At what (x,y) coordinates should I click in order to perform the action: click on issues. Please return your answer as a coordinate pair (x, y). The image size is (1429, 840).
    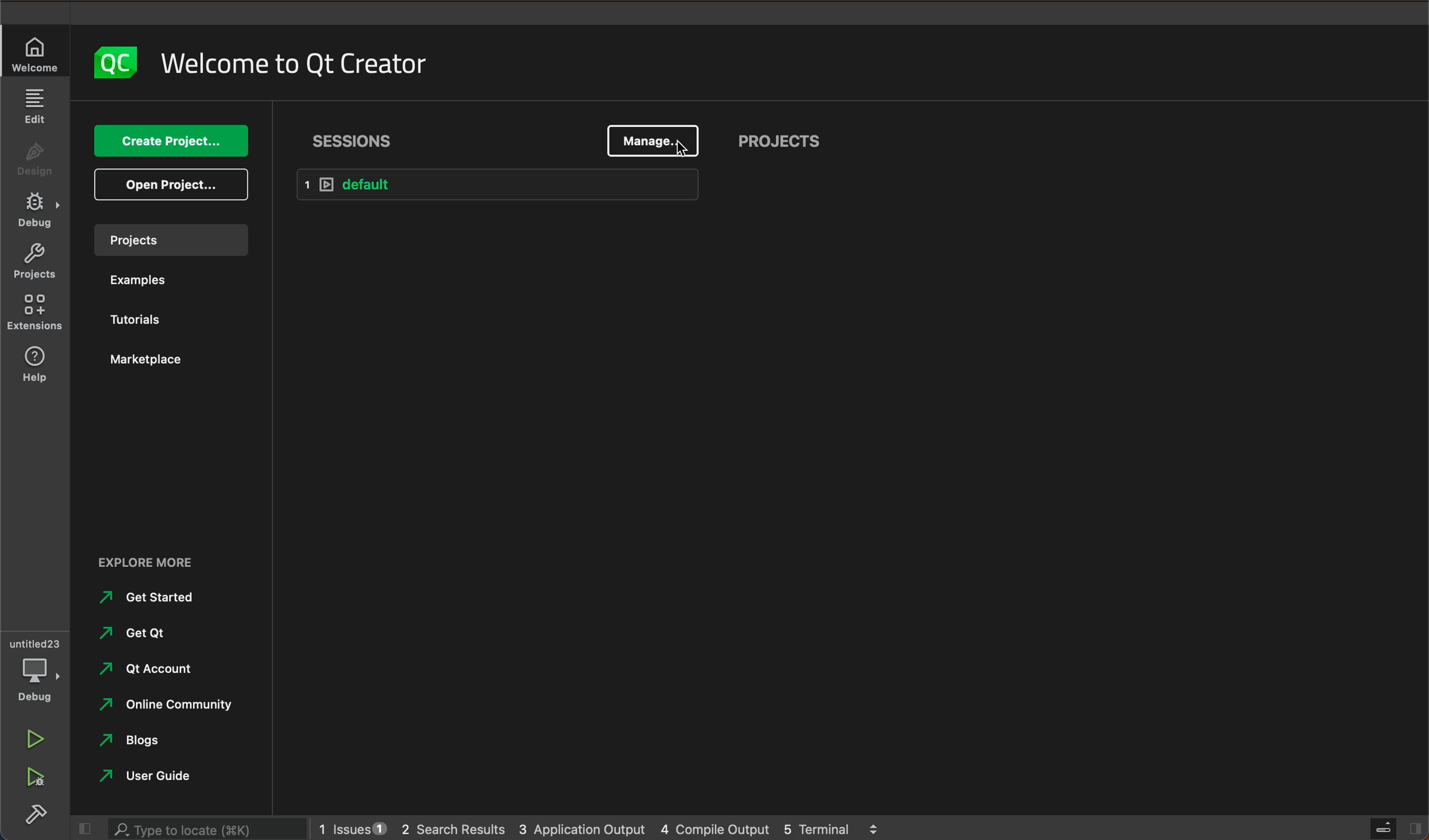
    Looking at the image, I should click on (350, 826).